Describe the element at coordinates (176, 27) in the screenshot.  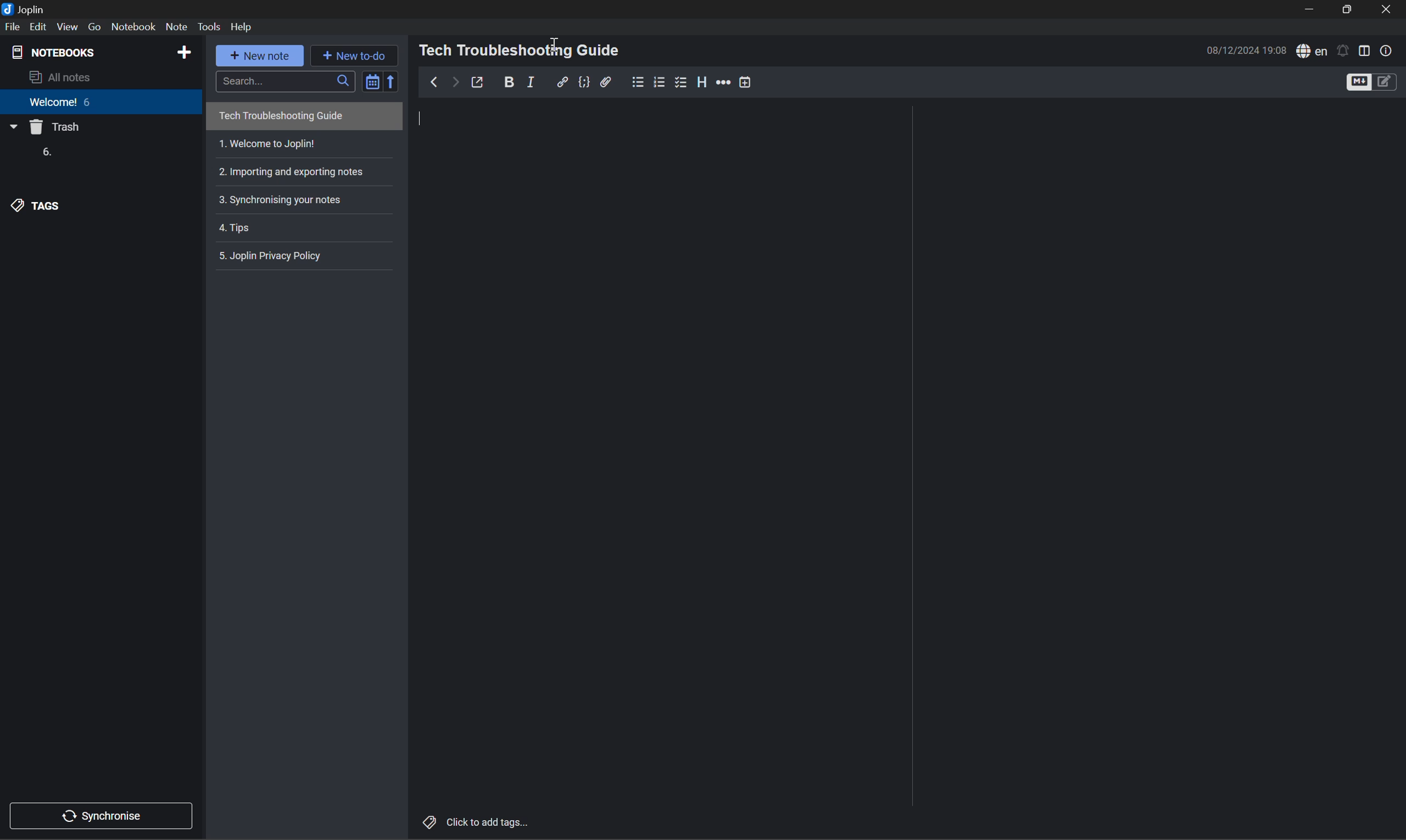
I see `Note` at that location.